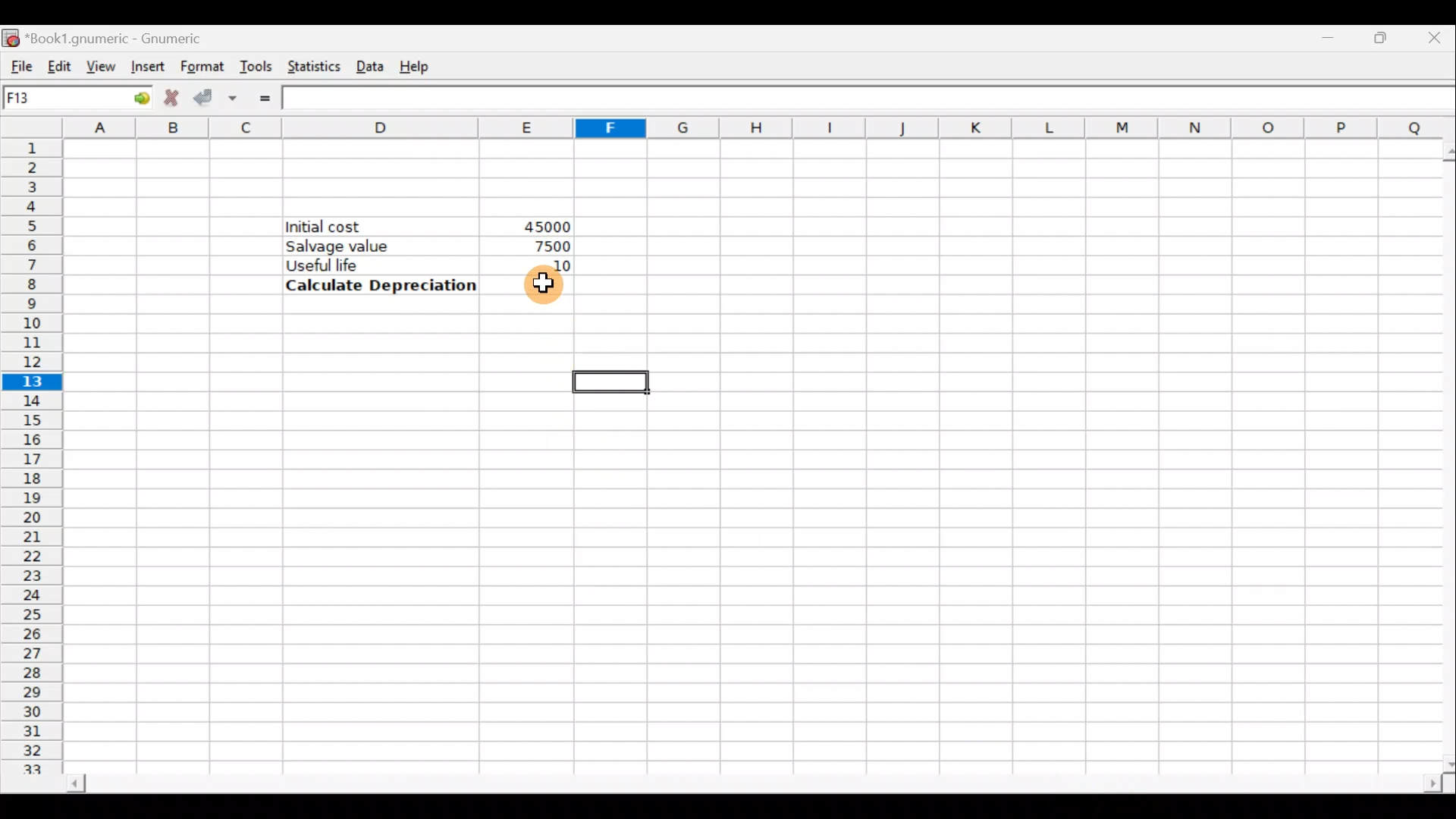  Describe the element at coordinates (19, 63) in the screenshot. I see `File` at that location.